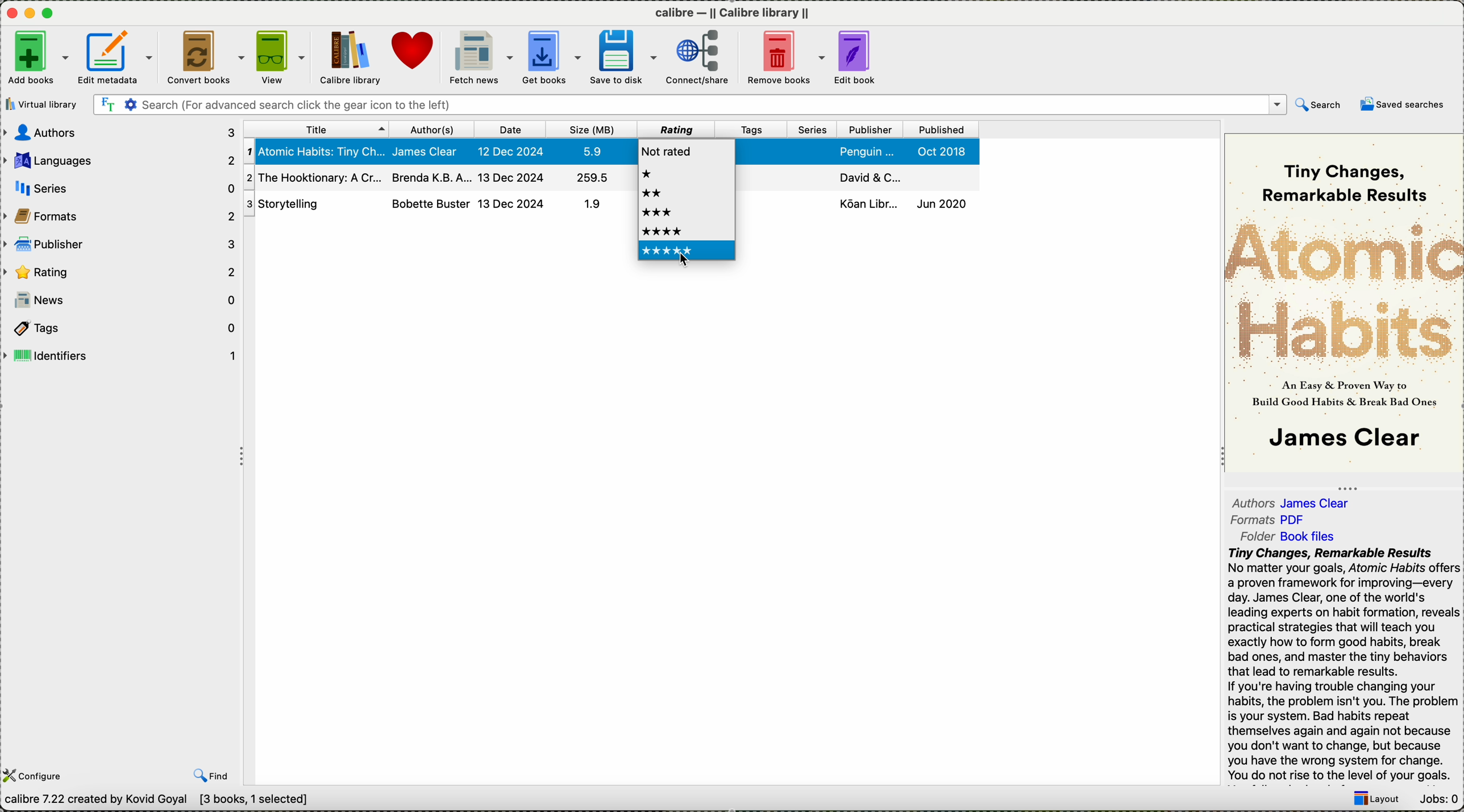 This screenshot has height=812, width=1464. What do you see at coordinates (1342, 665) in the screenshot?
I see `Tiny Changes, Remarkable Results

No matter your goals, Atomic Habits offers
a proven framework for improving—every
day. James Clear, one of the world's
leading experts on habit formation, reveals
practical strategies that will teach you
exactly how to form good habits, break
bad ones, and master the tiny behaviors
that lead to remarkable results.

If you're having trouble changing your
habits, the problem isn't you. The problem
is your system. Bad habits repeat
themselves again and again not because
you don't want to change, but because
you have the wrong system for change.
You do not rise to the level of your goals.` at bounding box center [1342, 665].